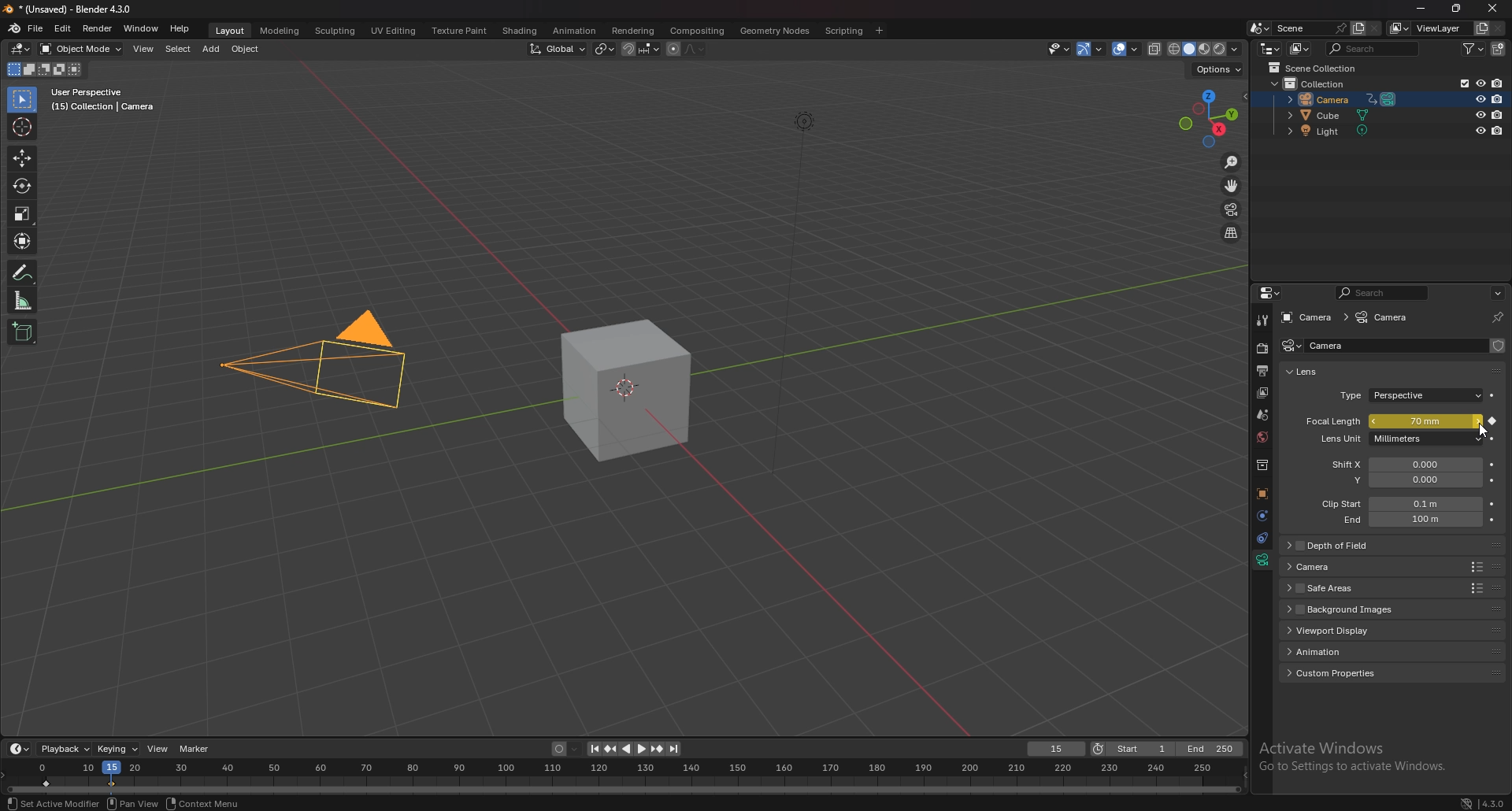  I want to click on snapping, so click(639, 48).